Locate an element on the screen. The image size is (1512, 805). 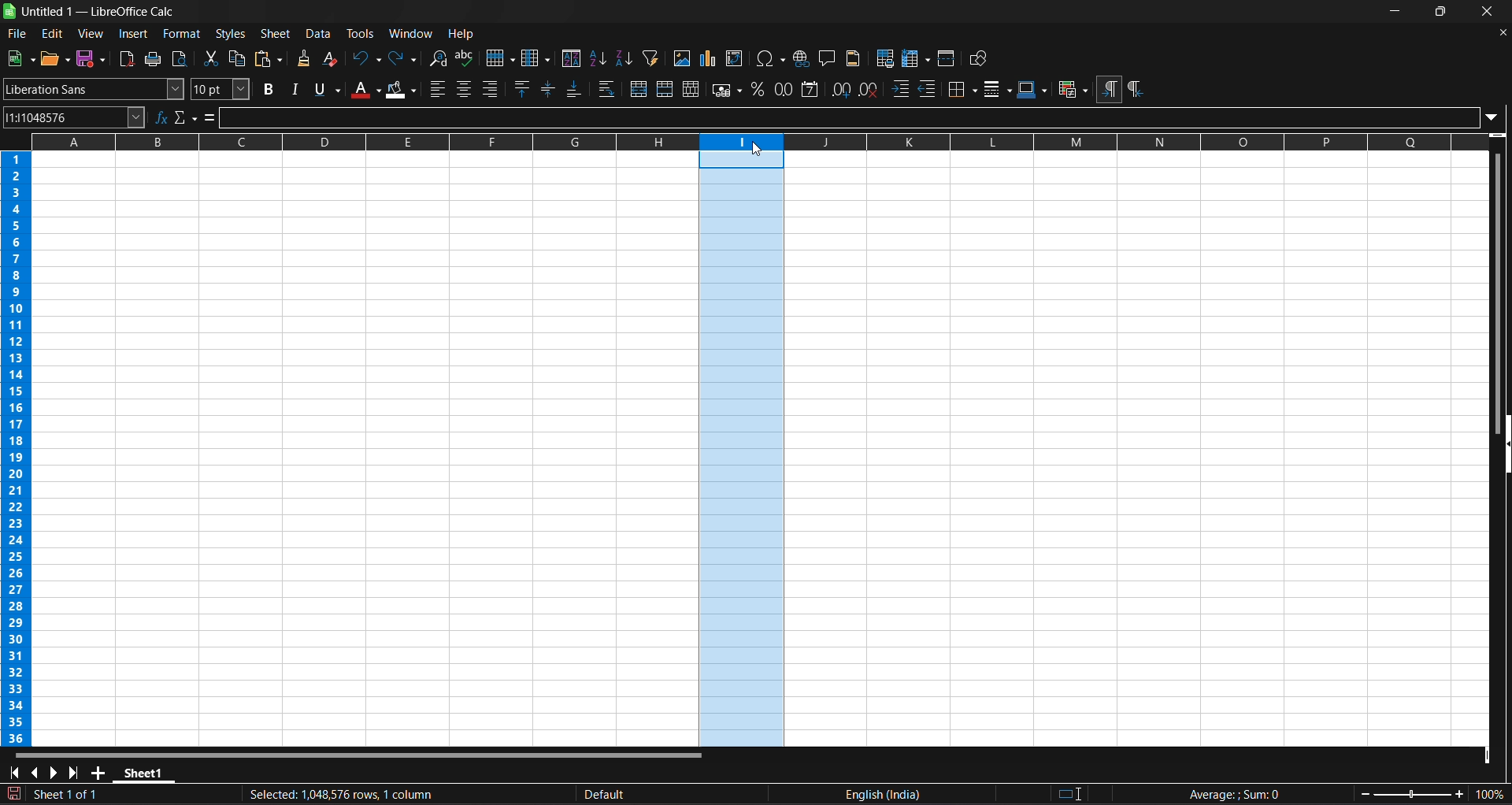
format as number is located at coordinates (784, 89).